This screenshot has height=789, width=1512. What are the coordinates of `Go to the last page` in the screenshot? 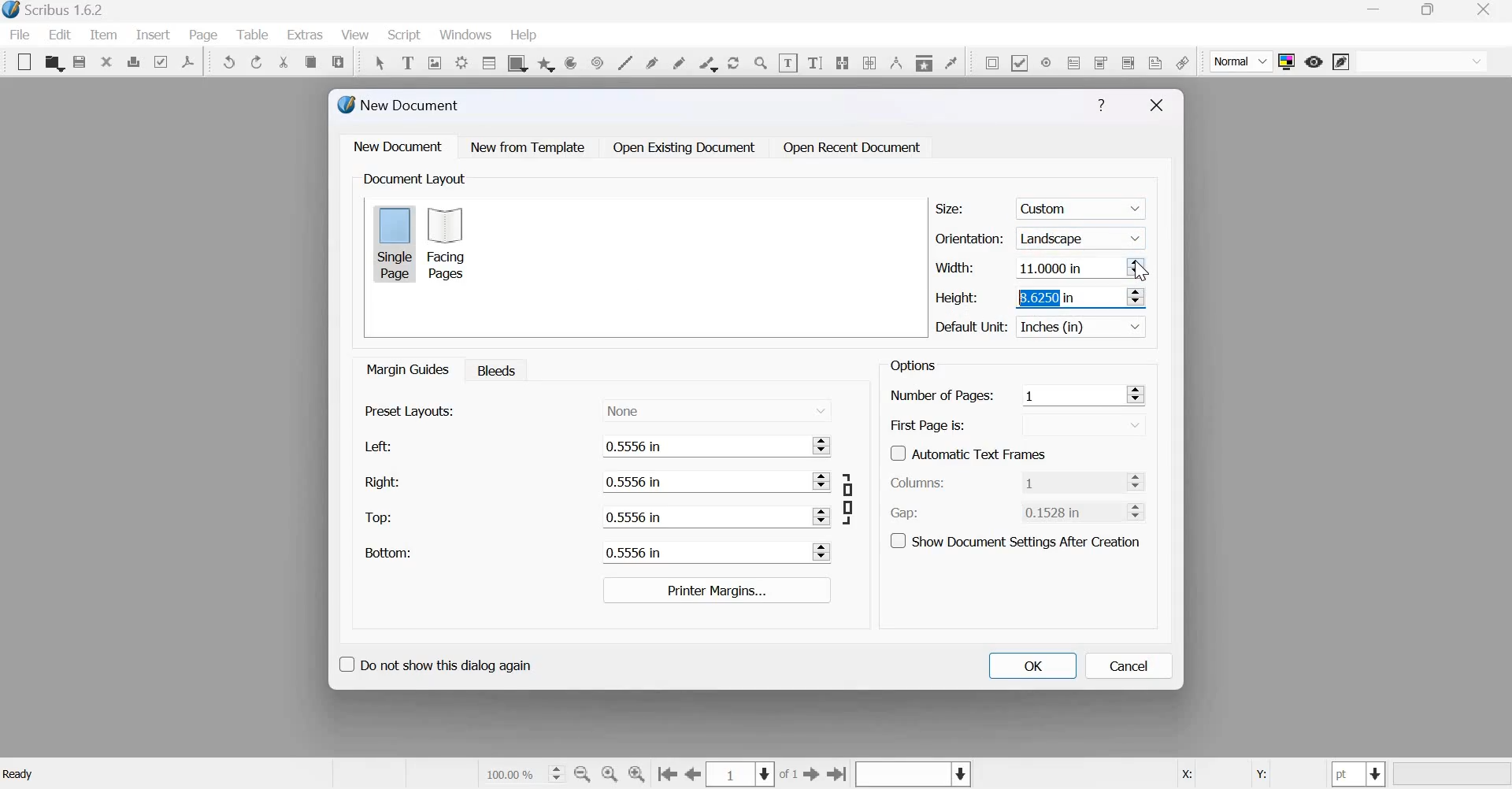 It's located at (838, 773).